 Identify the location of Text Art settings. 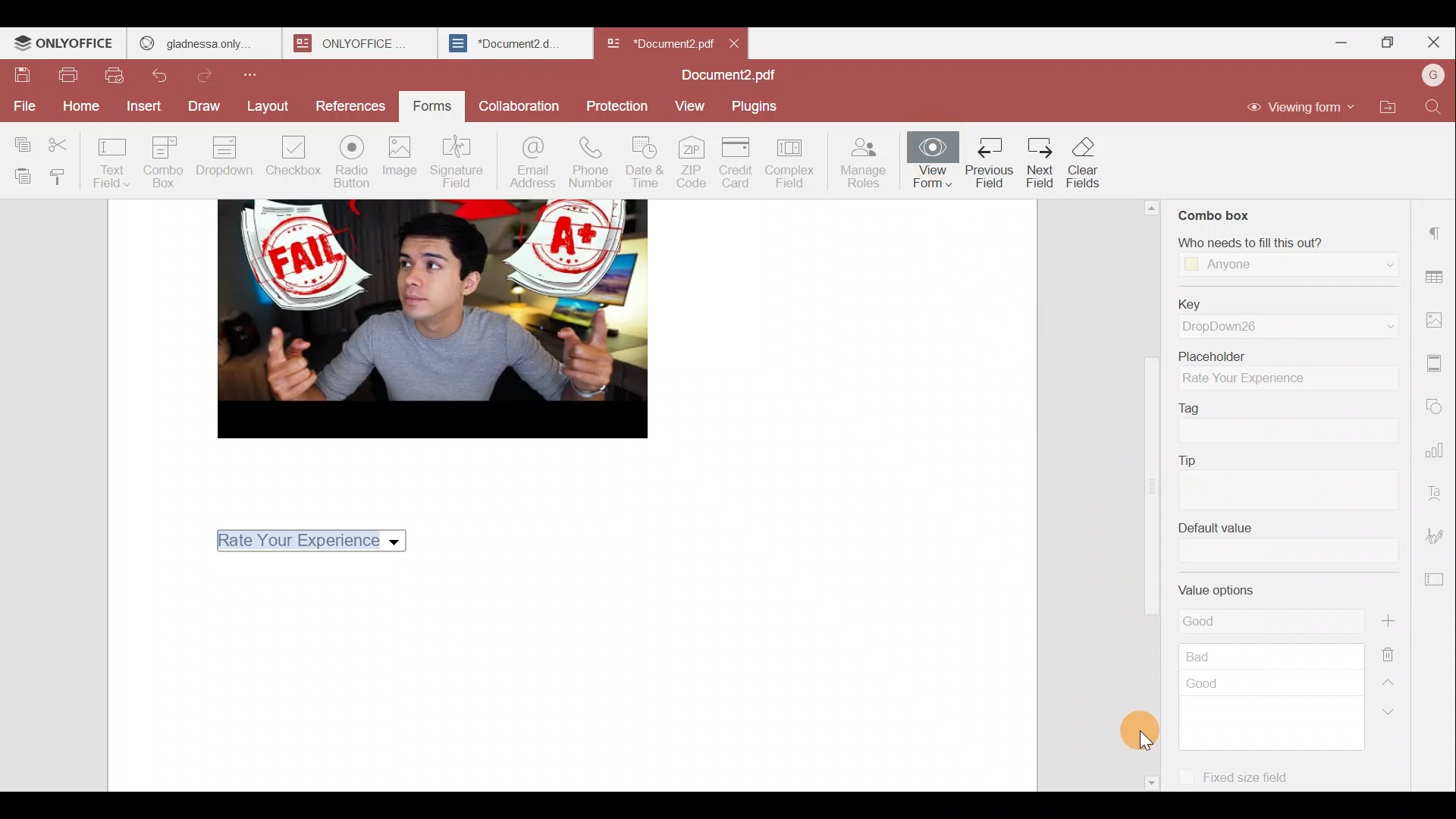
(1438, 491).